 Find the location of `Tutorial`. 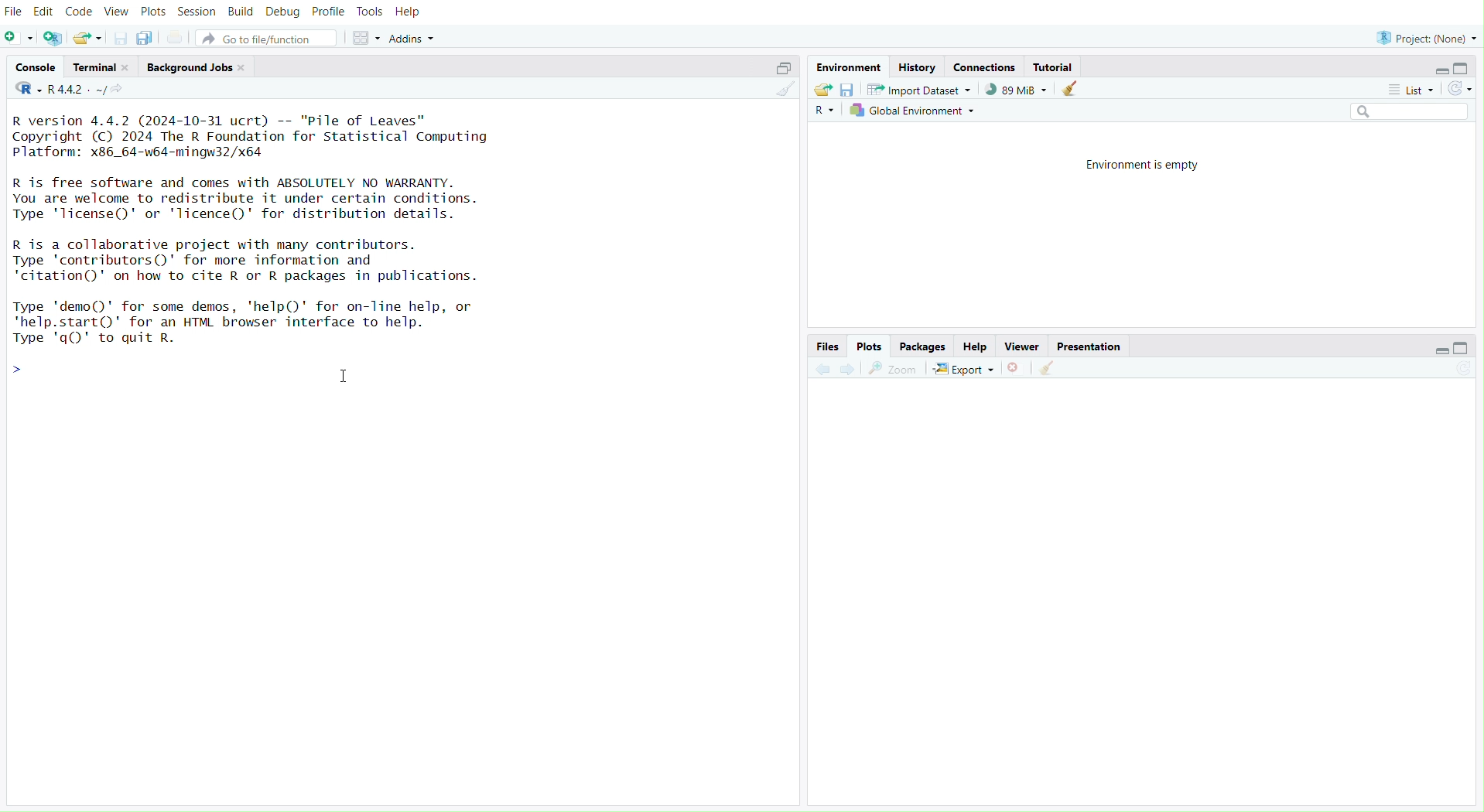

Tutorial is located at coordinates (1055, 67).